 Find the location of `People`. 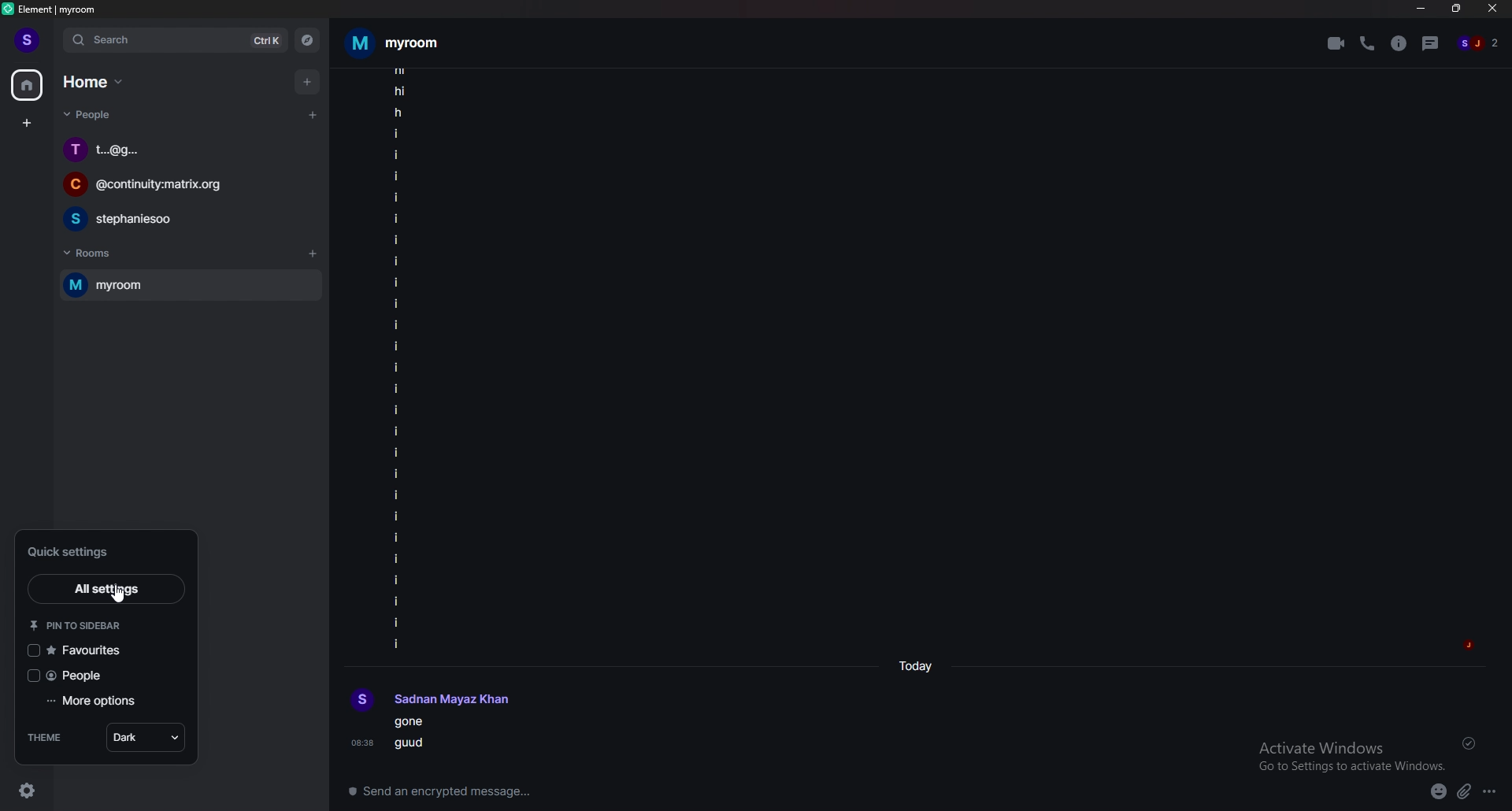

People is located at coordinates (84, 117).